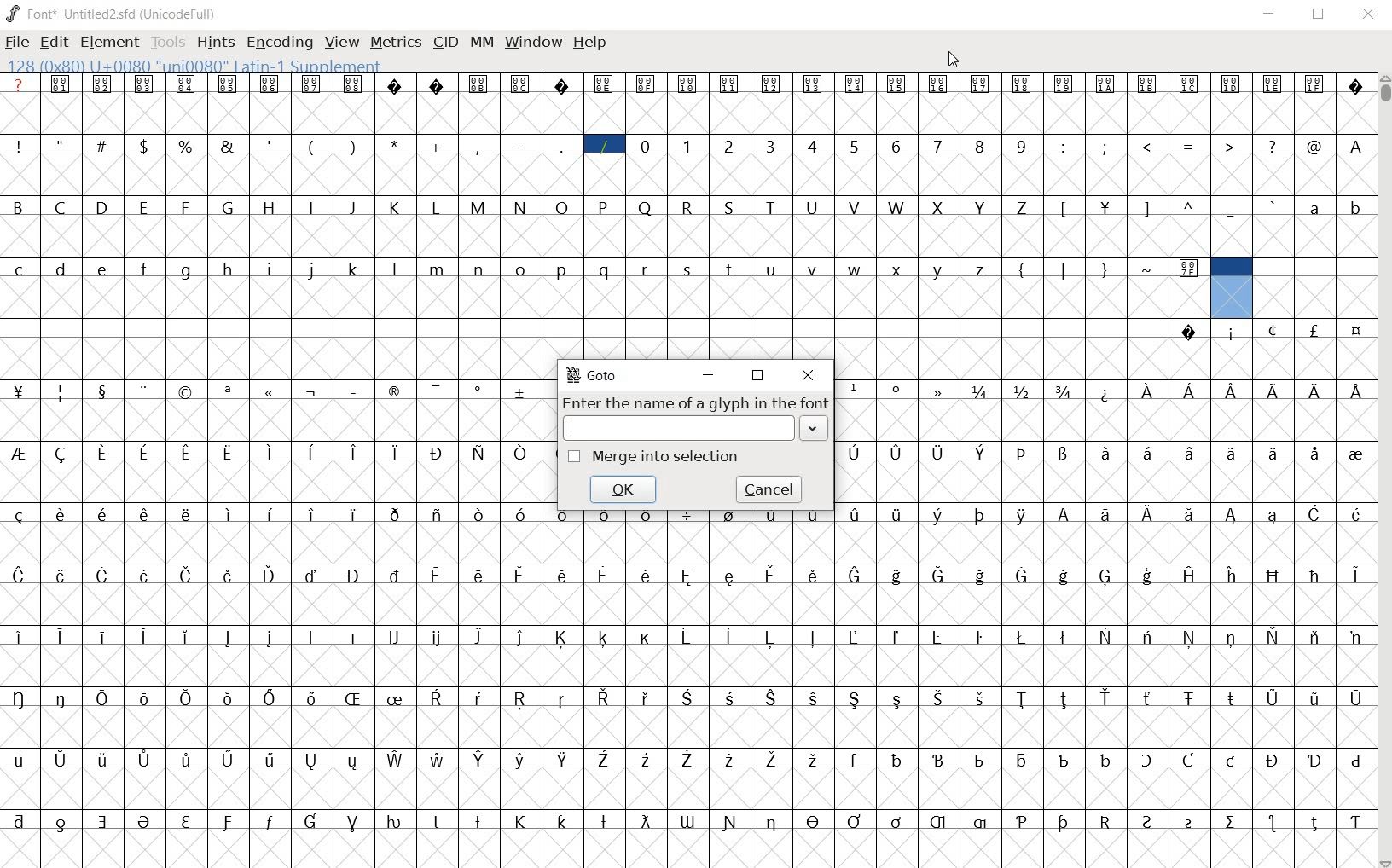  Describe the element at coordinates (104, 208) in the screenshot. I see `D` at that location.